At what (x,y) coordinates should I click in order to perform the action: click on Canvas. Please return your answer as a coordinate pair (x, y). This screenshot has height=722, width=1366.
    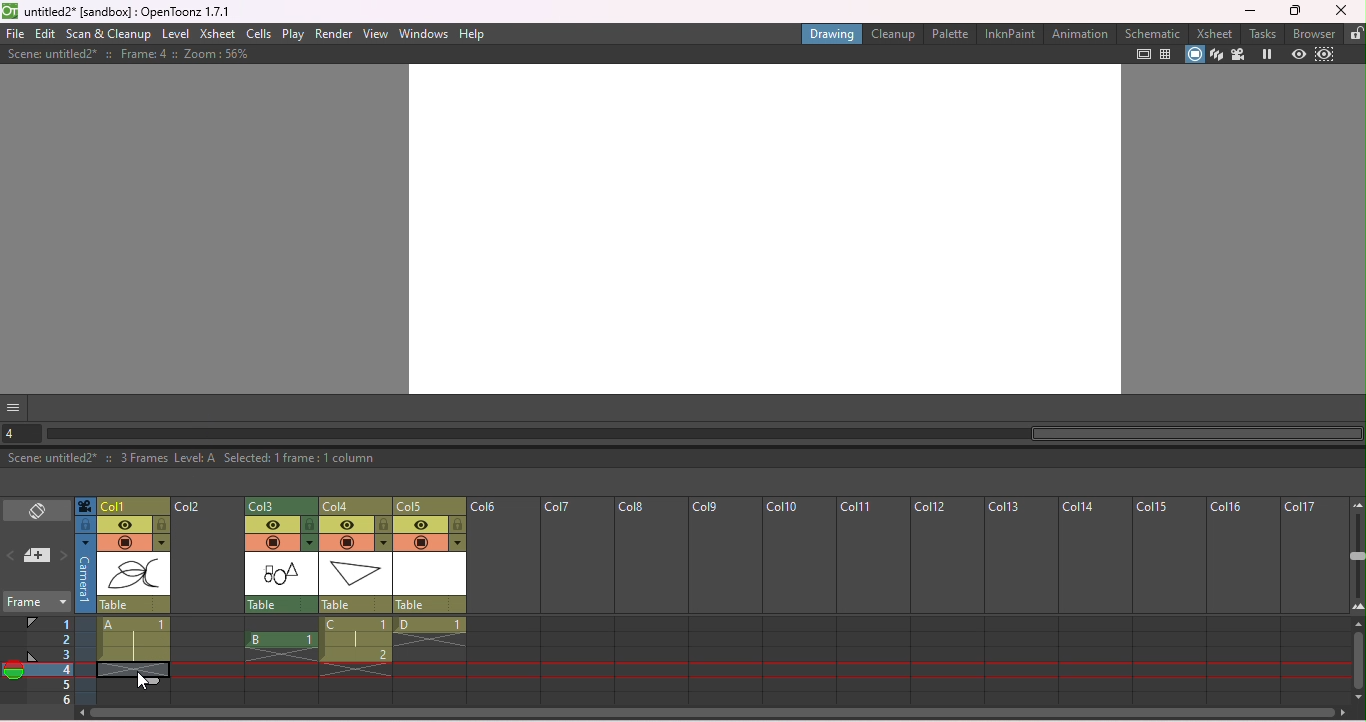
    Looking at the image, I should click on (762, 228).